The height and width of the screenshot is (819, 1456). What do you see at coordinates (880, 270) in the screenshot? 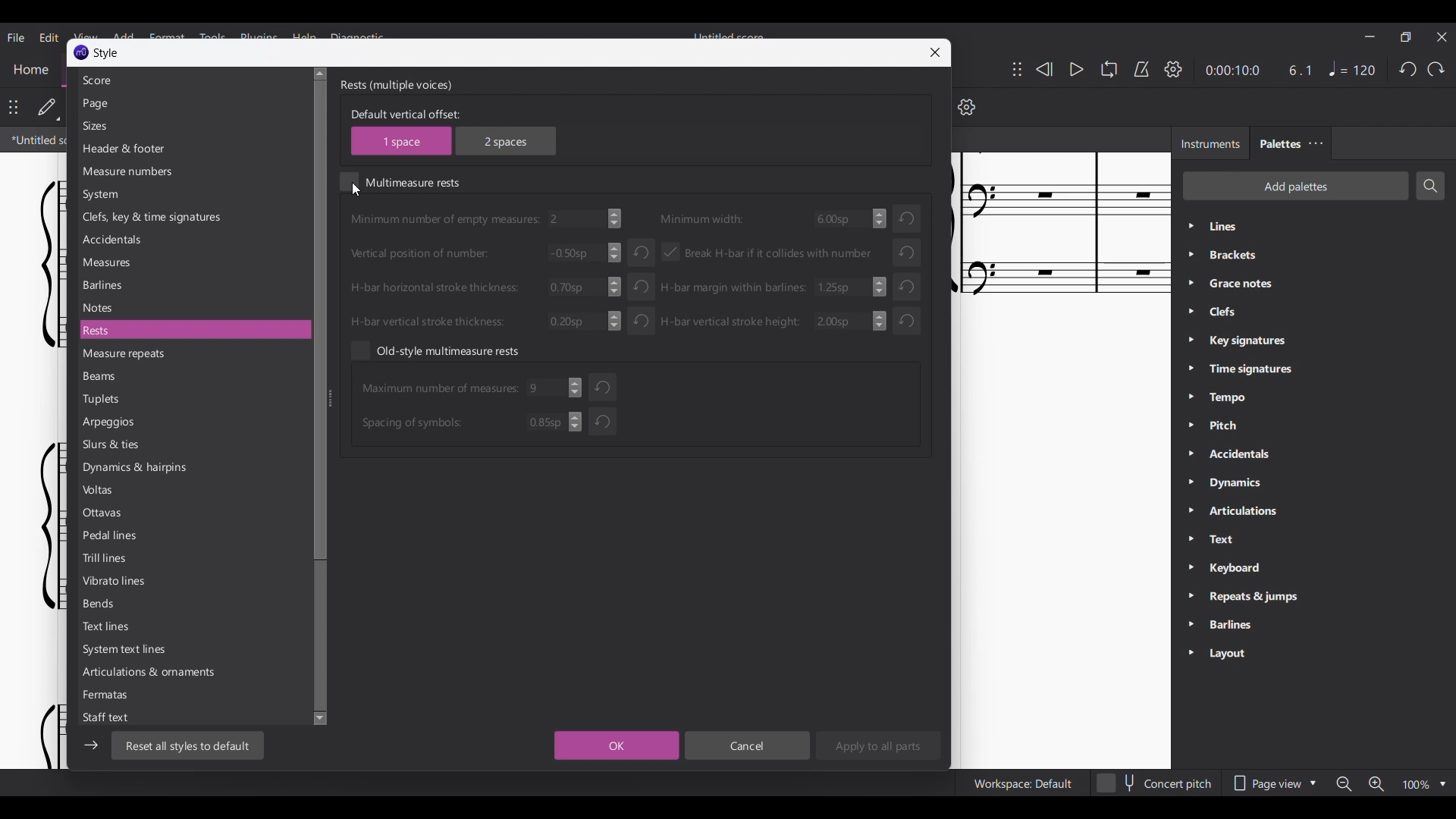
I see `Increase/Decrease respective inputs` at bounding box center [880, 270].